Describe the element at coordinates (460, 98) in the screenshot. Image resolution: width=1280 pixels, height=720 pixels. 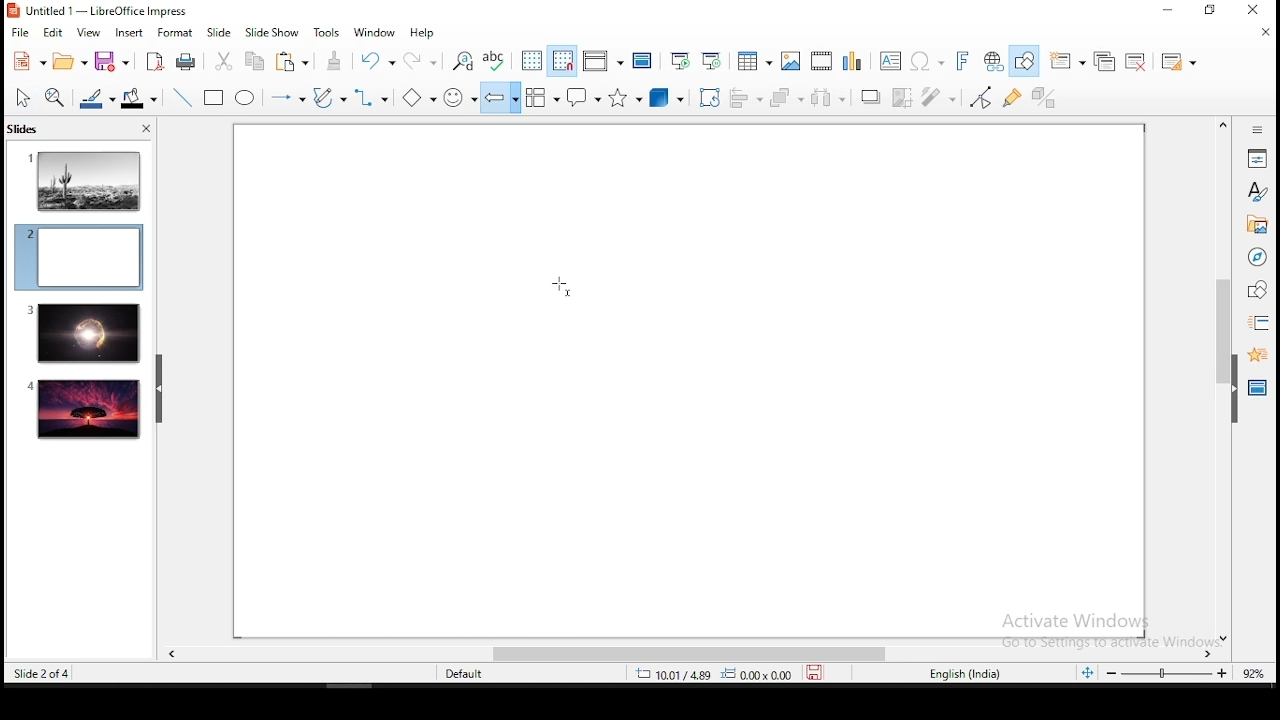
I see `symbol shapes` at that location.